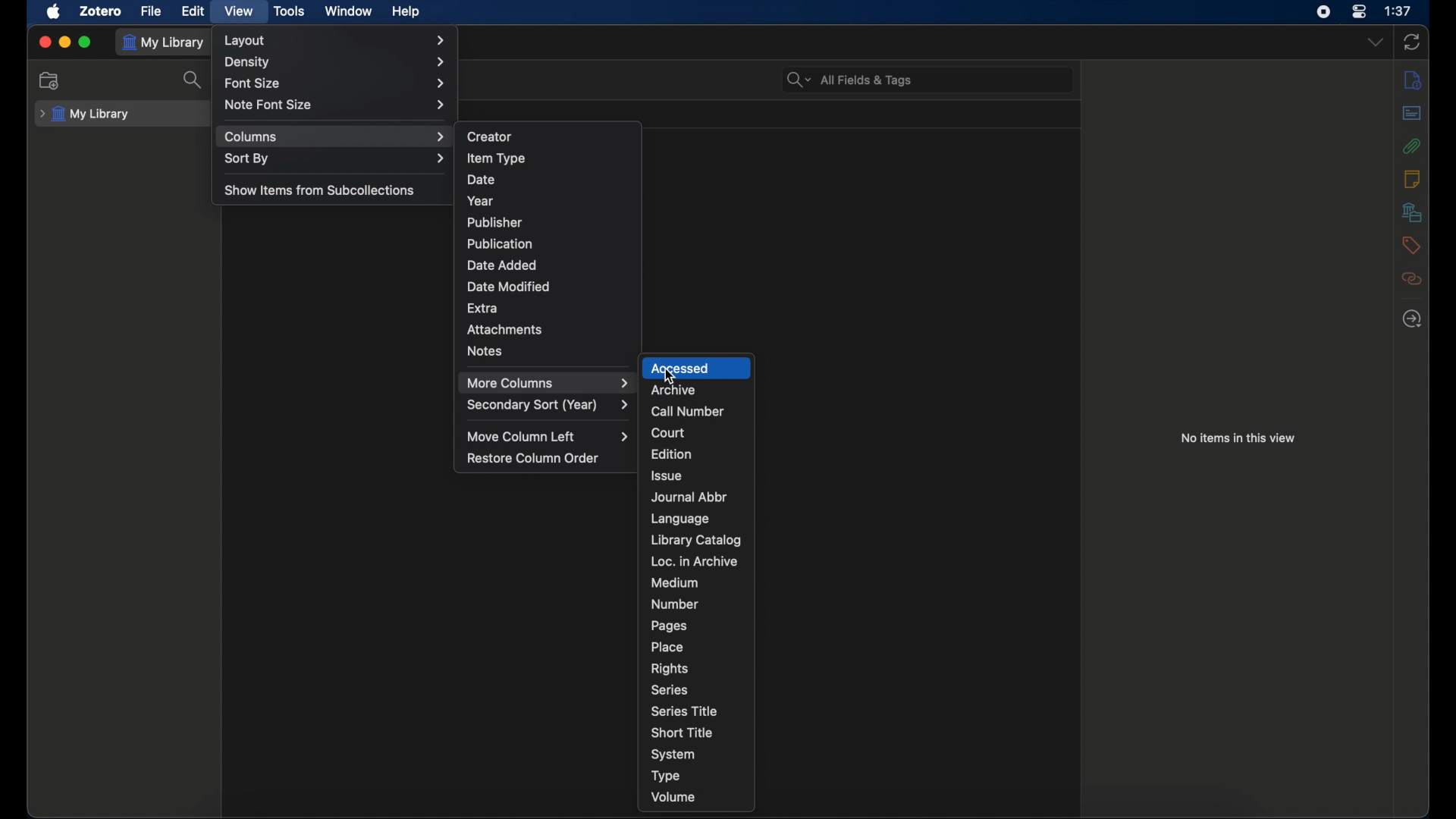 The height and width of the screenshot is (819, 1456). I want to click on publication, so click(501, 243).